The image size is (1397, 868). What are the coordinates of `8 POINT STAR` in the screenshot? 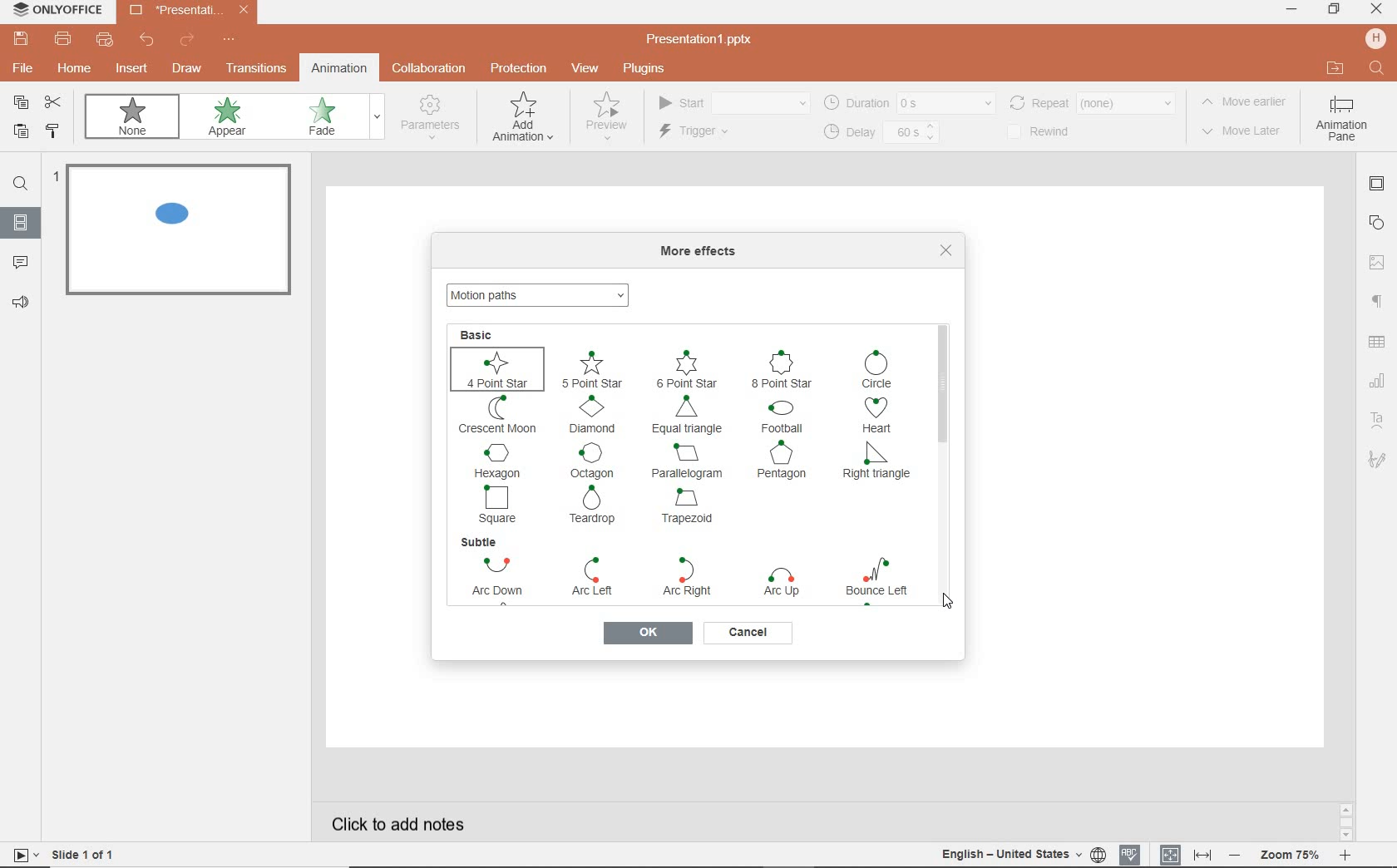 It's located at (781, 367).